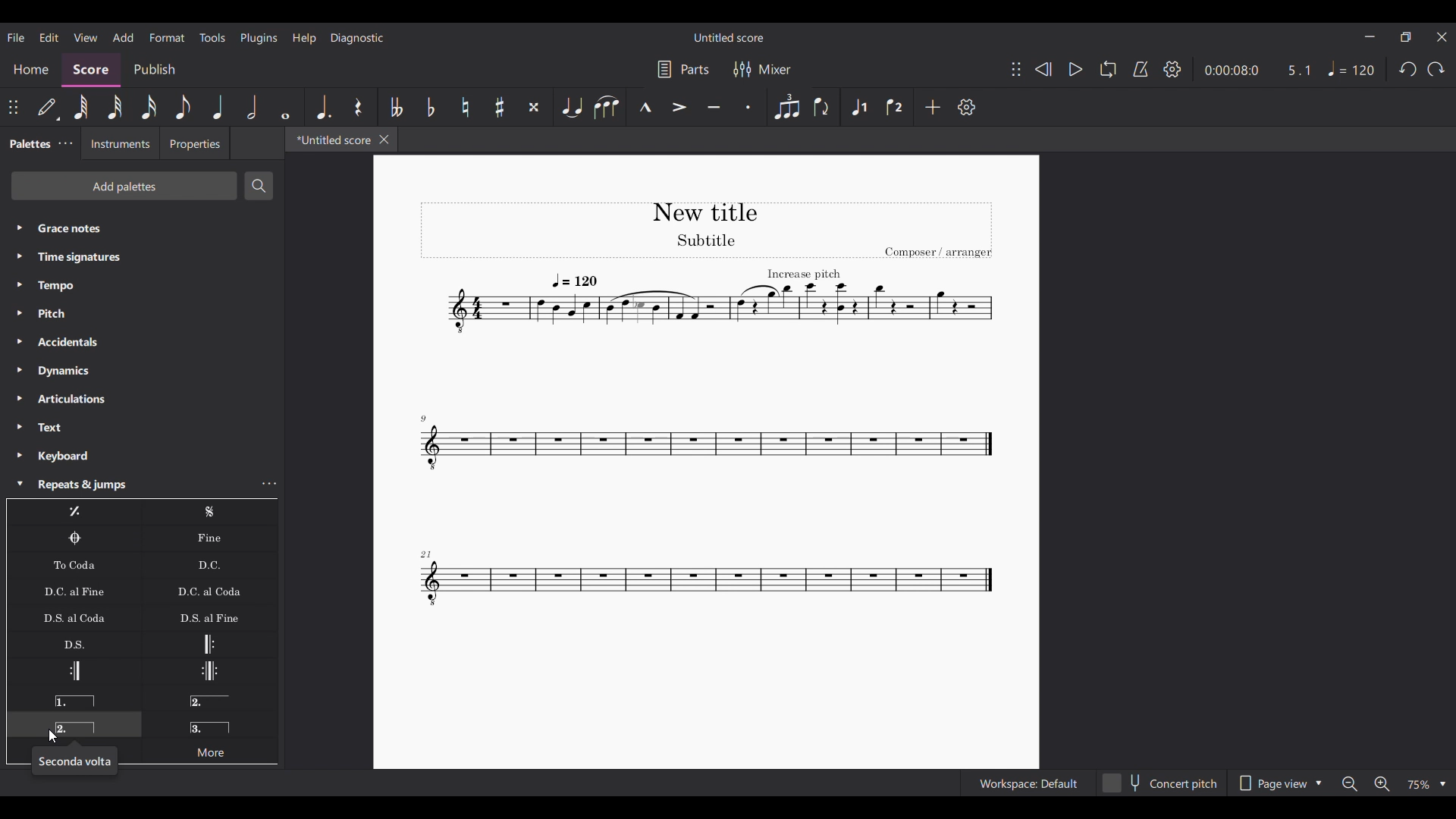 This screenshot has width=1456, height=819. Describe the element at coordinates (49, 107) in the screenshot. I see `Default` at that location.